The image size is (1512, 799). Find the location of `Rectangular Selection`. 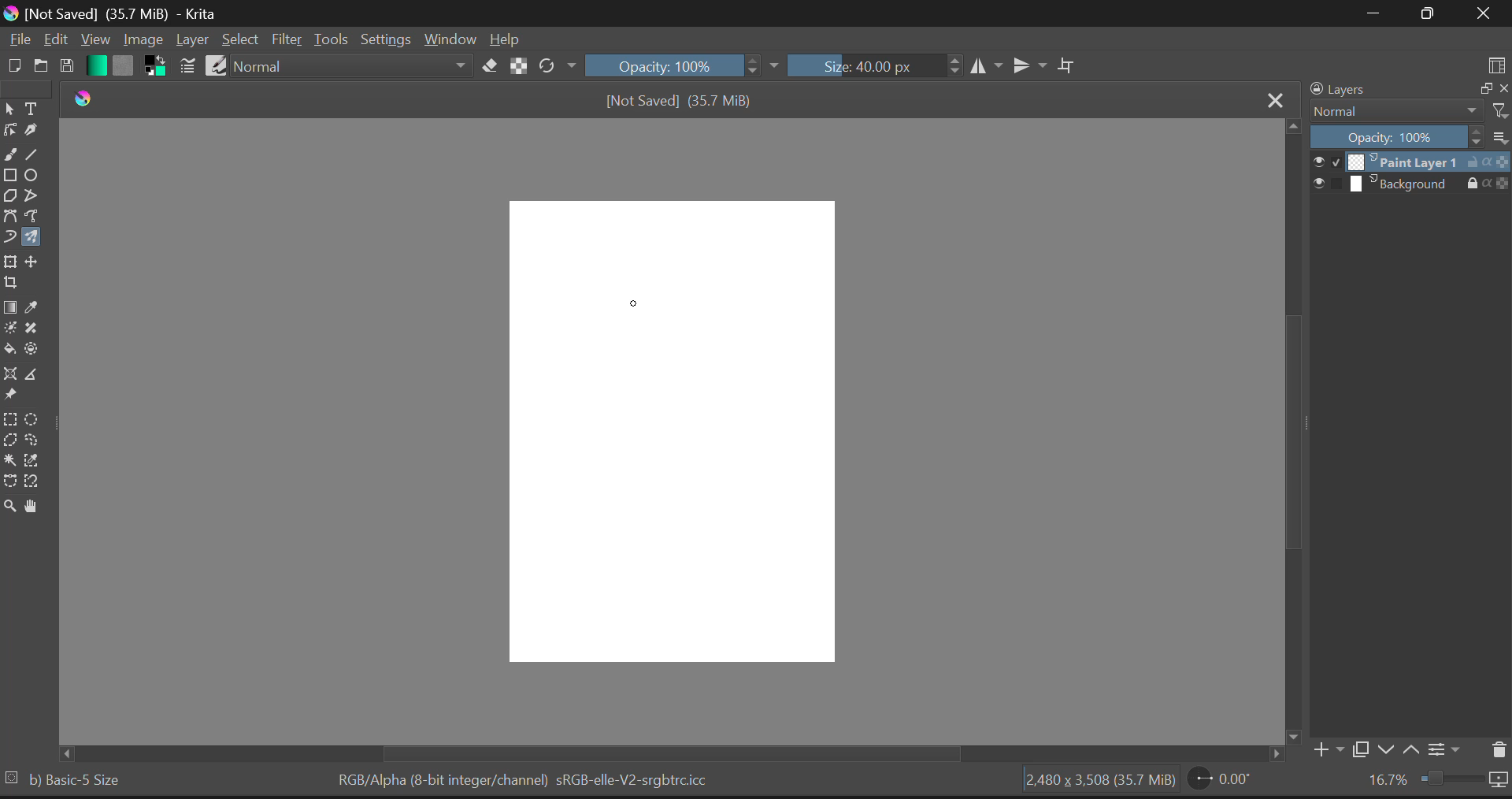

Rectangular Selection is located at coordinates (13, 420).